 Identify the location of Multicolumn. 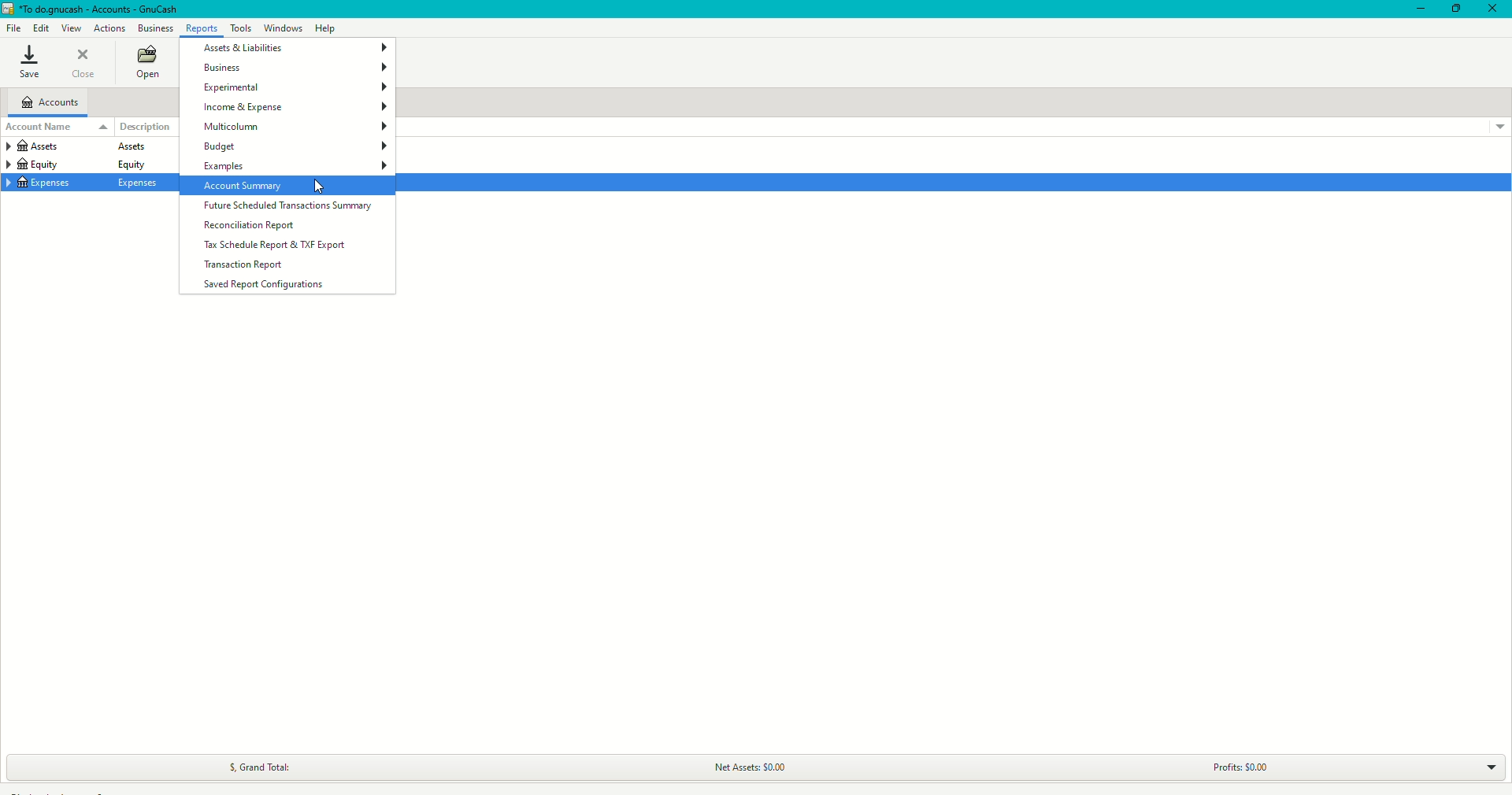
(295, 127).